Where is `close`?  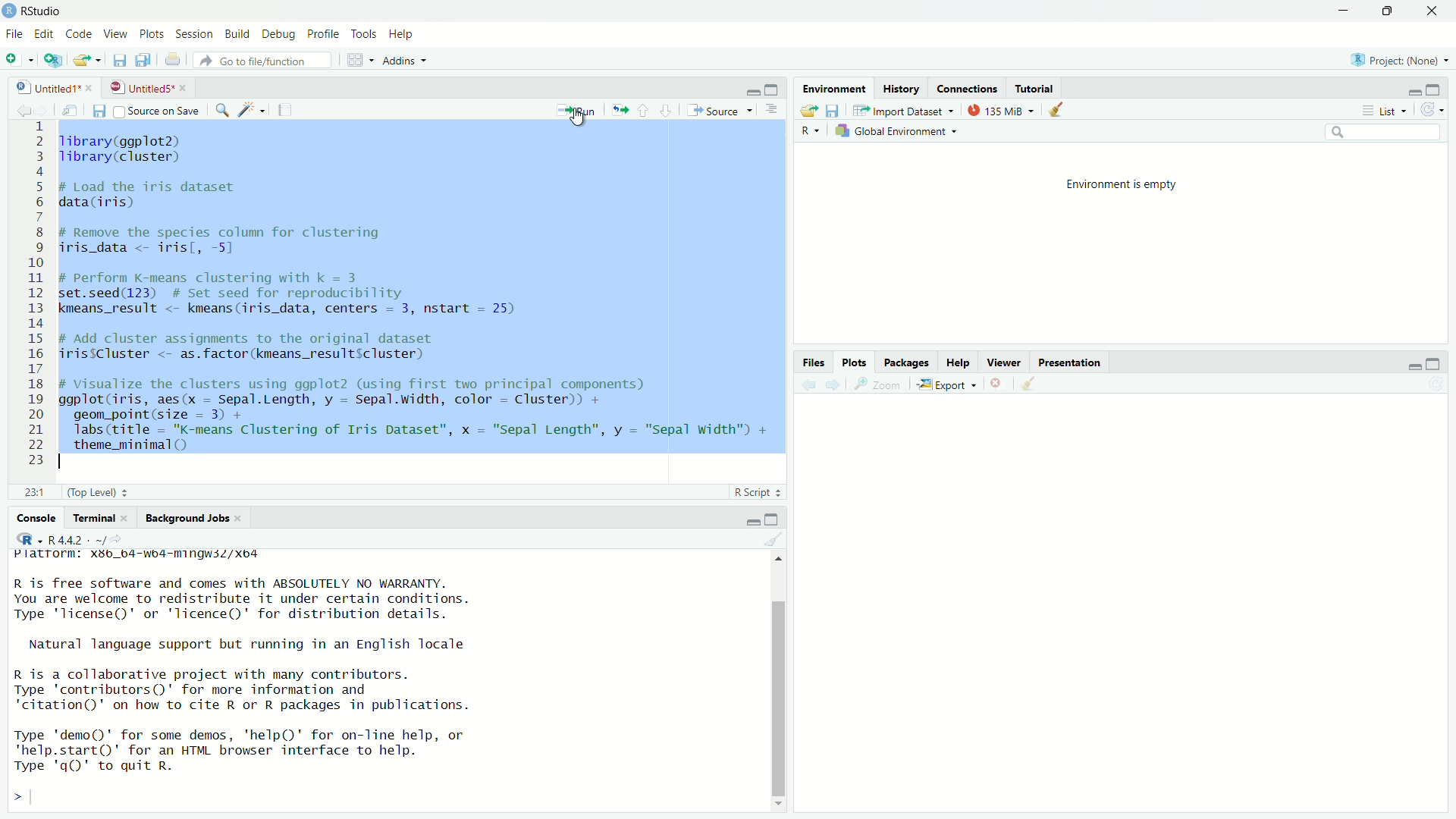 close is located at coordinates (246, 518).